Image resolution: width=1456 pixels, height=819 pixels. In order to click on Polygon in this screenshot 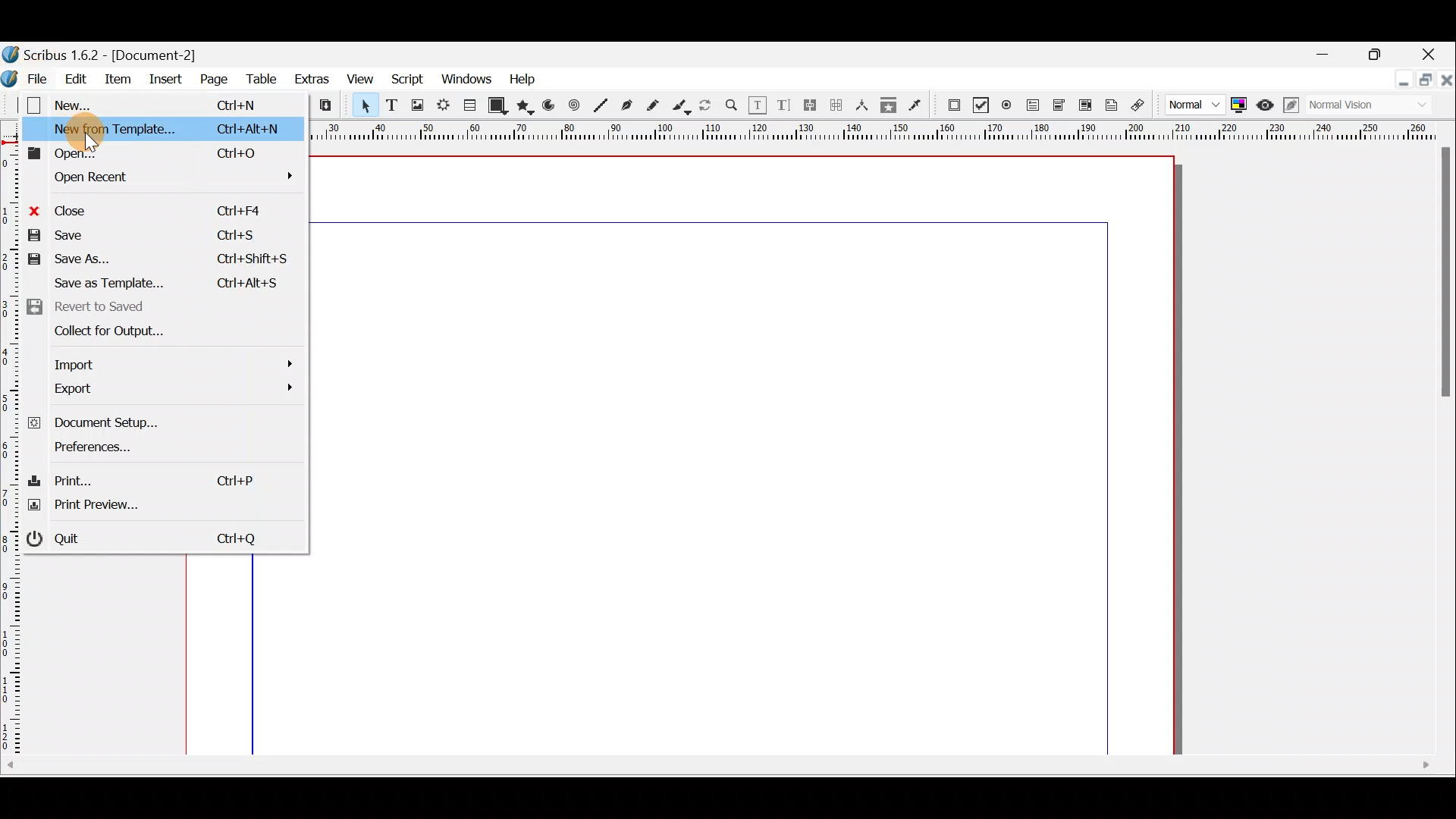, I will do `click(526, 106)`.